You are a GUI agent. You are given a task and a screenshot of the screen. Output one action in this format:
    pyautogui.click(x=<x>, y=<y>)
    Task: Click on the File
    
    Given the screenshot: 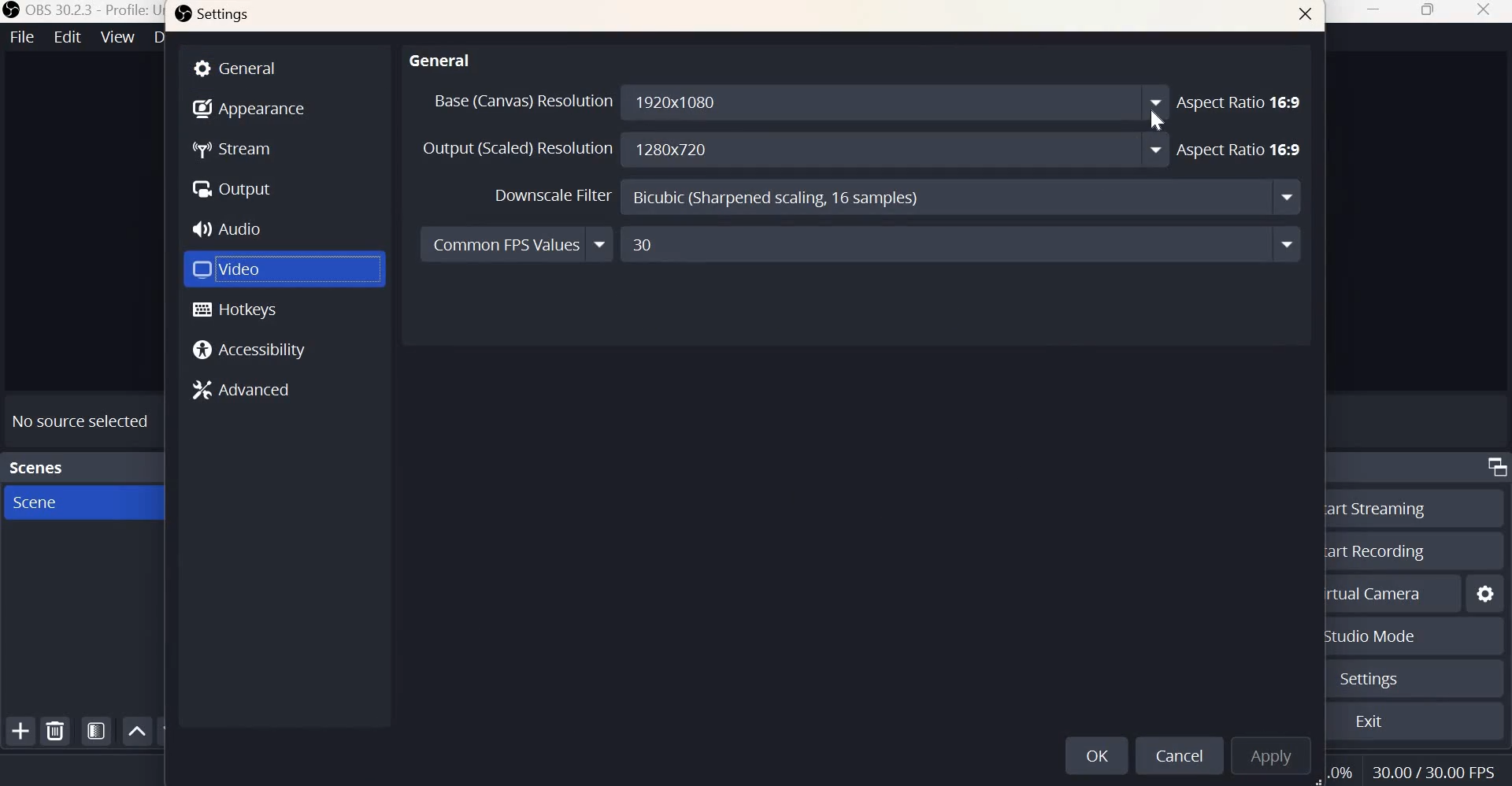 What is the action you would take?
    pyautogui.click(x=20, y=37)
    